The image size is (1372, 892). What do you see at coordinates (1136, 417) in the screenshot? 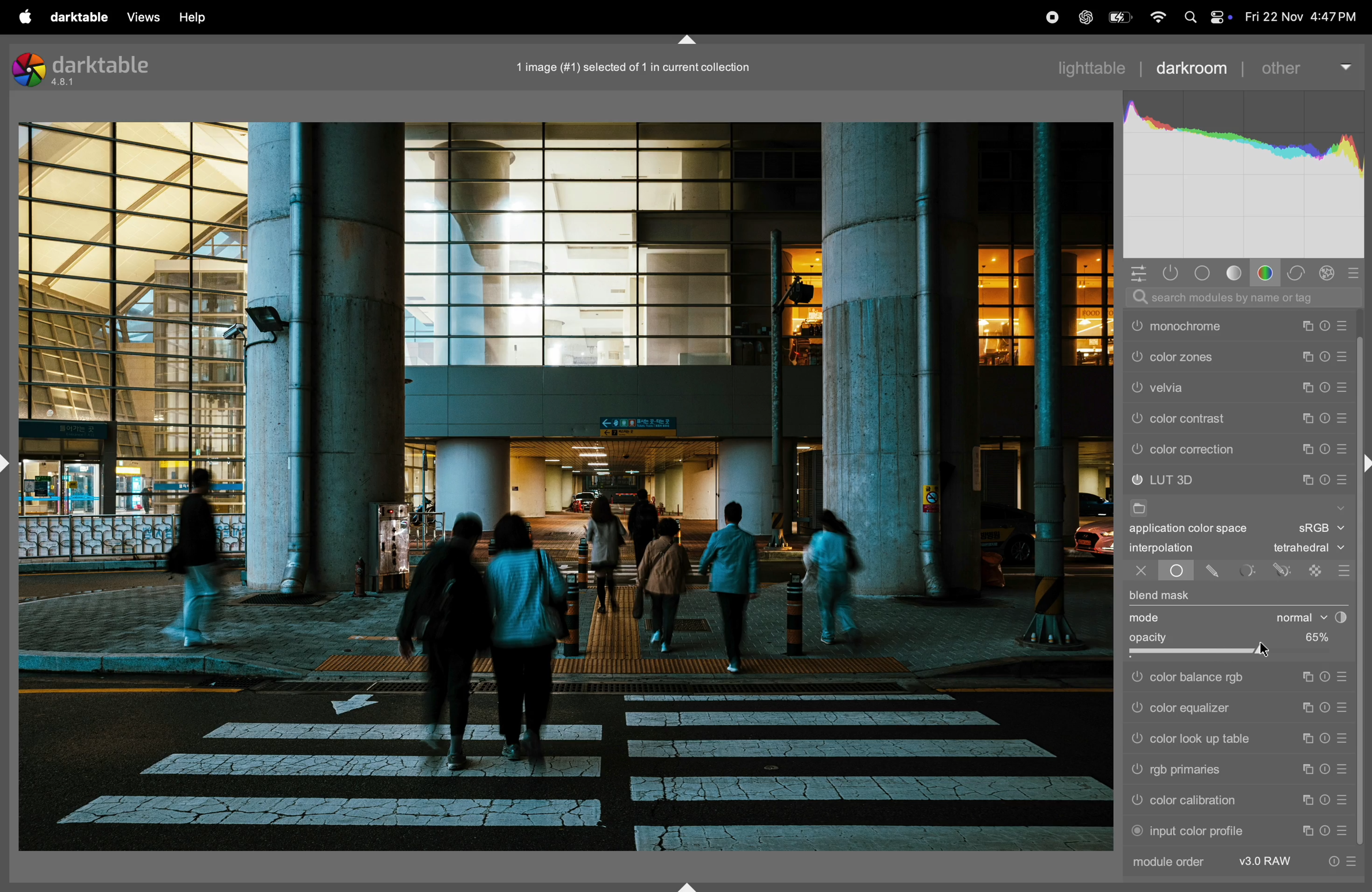
I see `velvia switched off` at bounding box center [1136, 417].